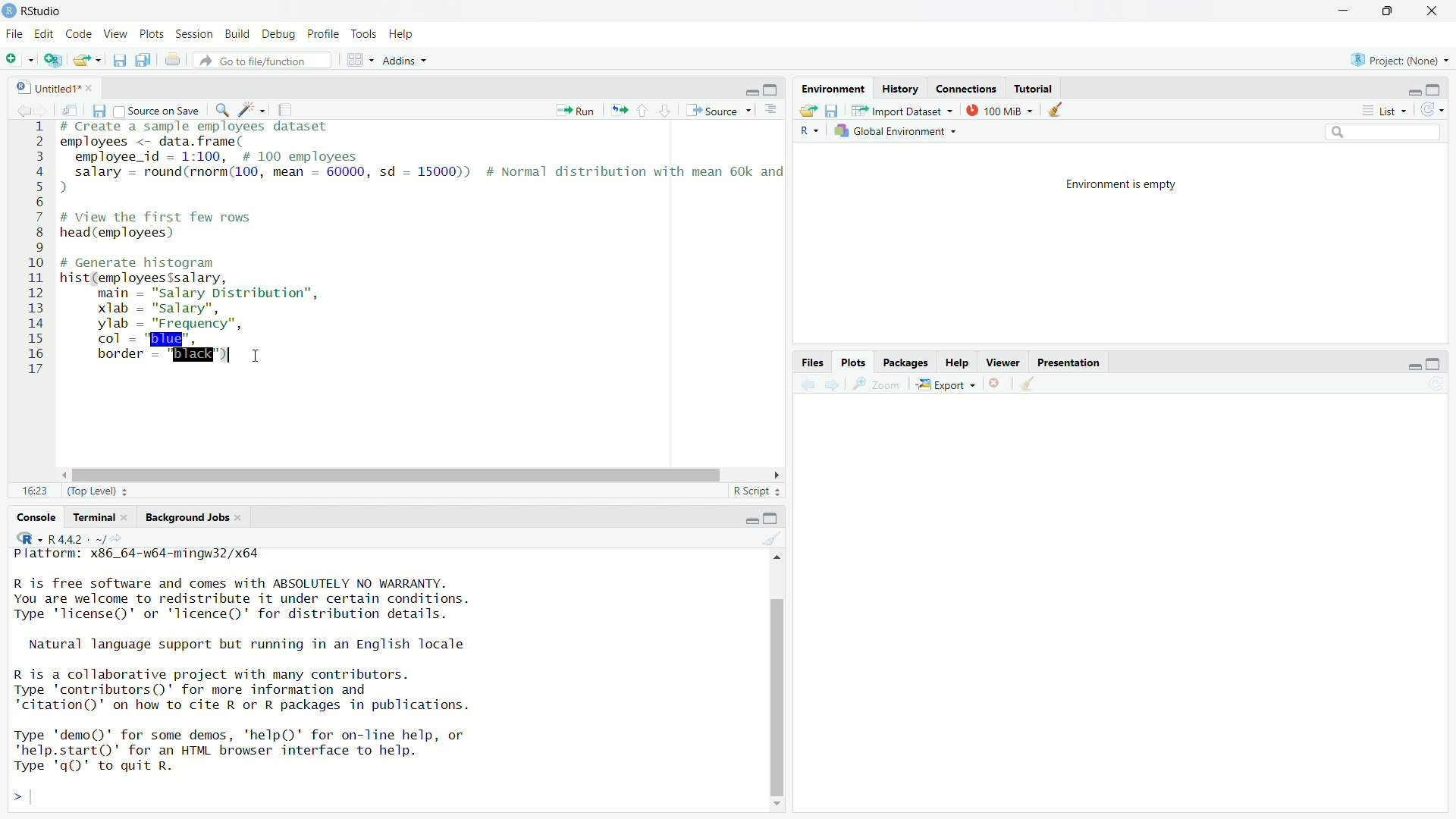 Image resolution: width=1456 pixels, height=819 pixels. What do you see at coordinates (778, 557) in the screenshot?
I see `scroll up` at bounding box center [778, 557].